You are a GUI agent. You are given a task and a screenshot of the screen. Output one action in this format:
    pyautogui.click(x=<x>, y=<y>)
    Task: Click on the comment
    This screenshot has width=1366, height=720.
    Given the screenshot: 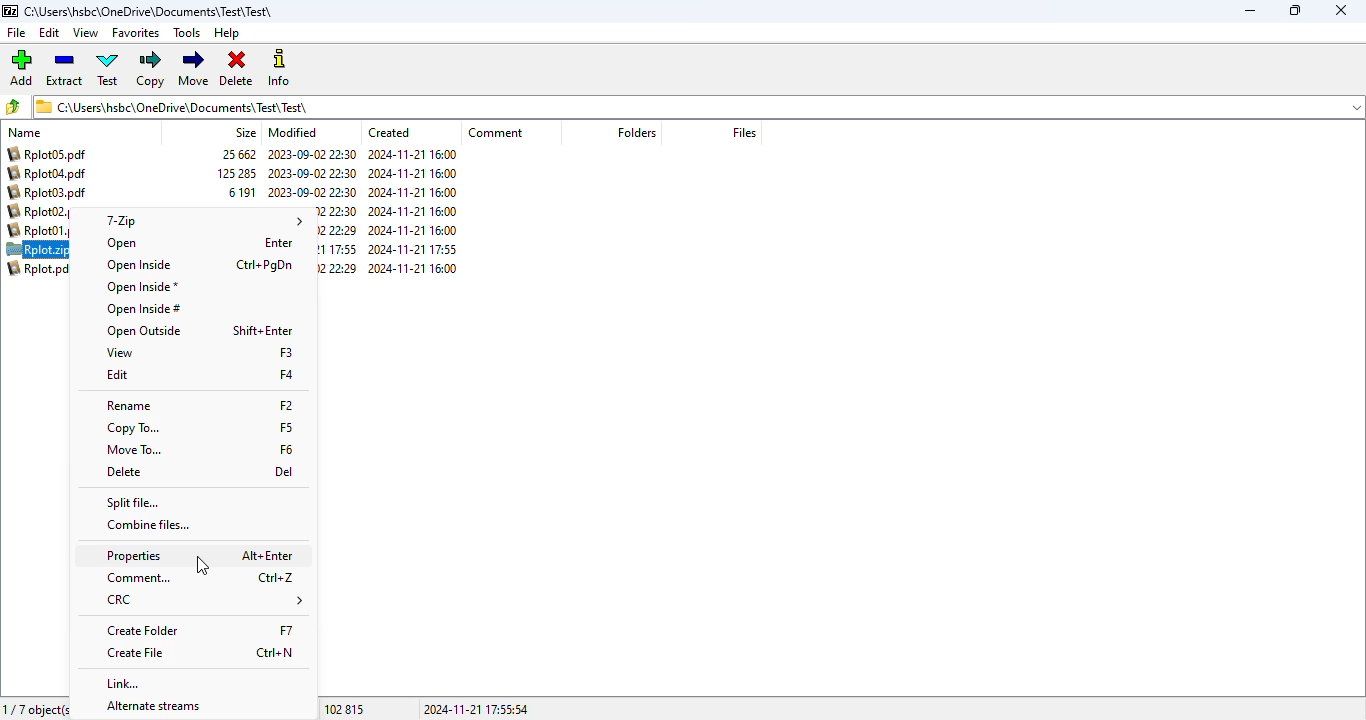 What is the action you would take?
    pyautogui.click(x=495, y=132)
    